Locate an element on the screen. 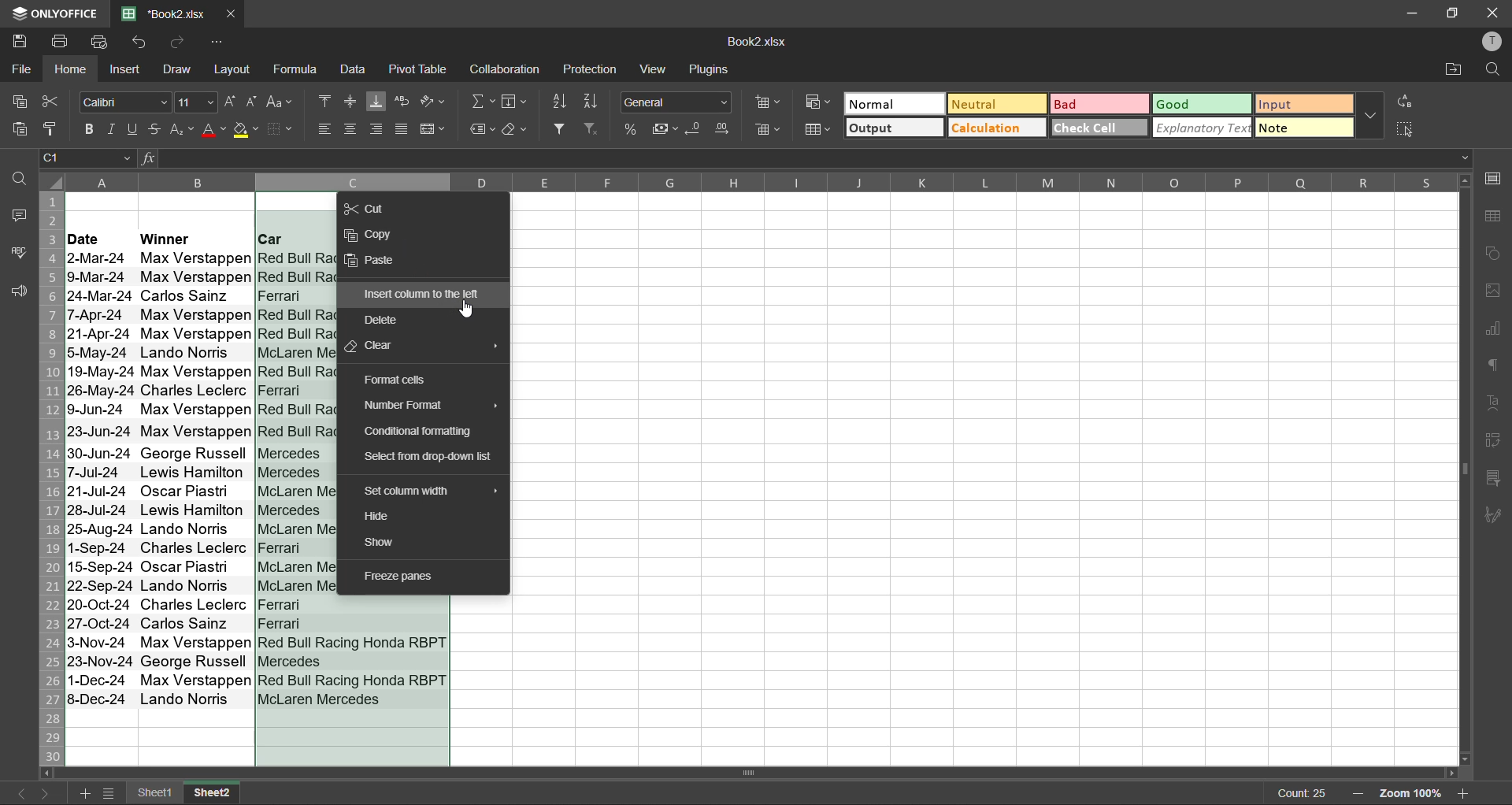 The image size is (1512, 805). redo is located at coordinates (184, 43).